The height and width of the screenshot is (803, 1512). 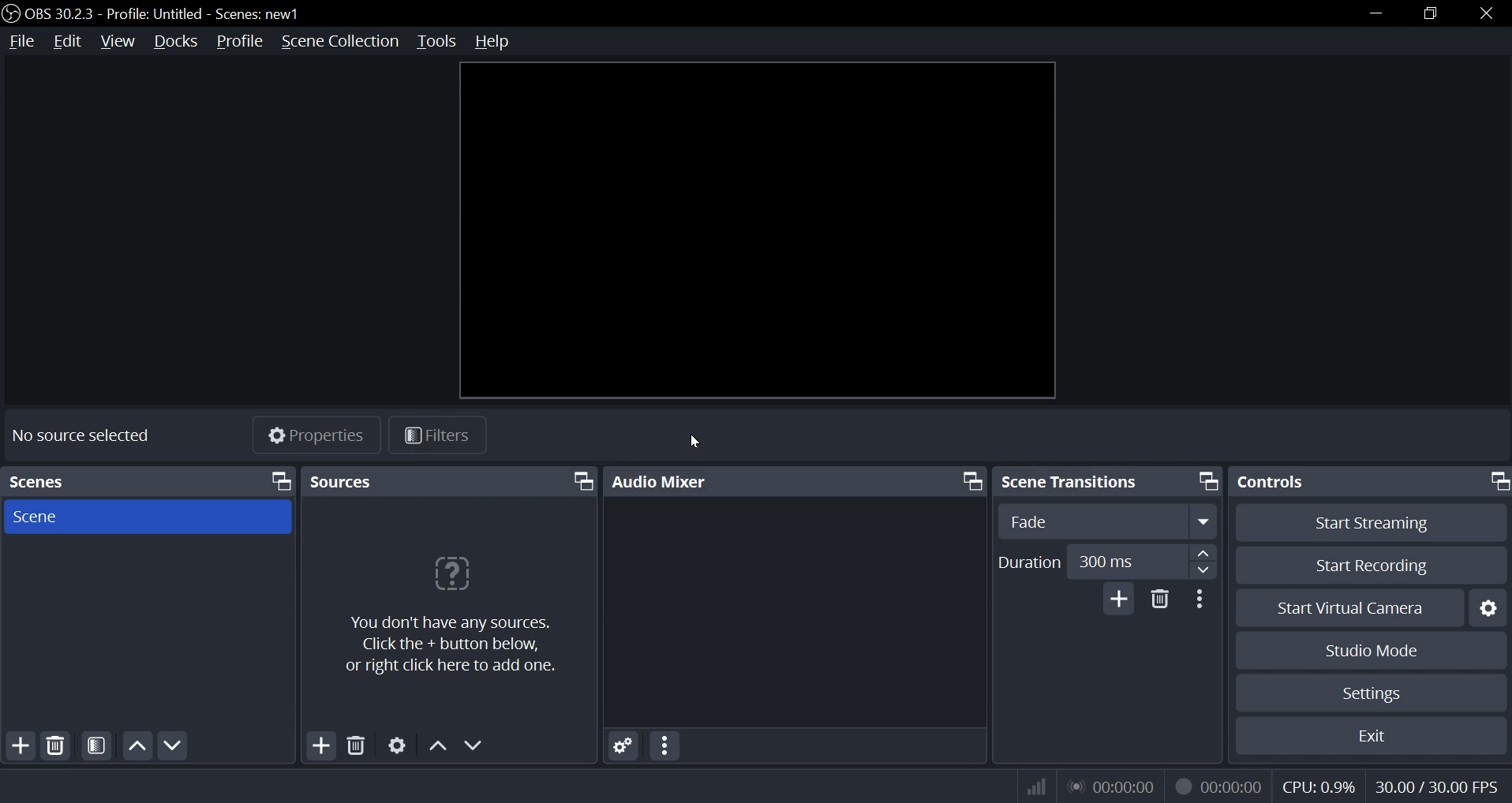 What do you see at coordinates (10, 13) in the screenshot?
I see `logo` at bounding box center [10, 13].